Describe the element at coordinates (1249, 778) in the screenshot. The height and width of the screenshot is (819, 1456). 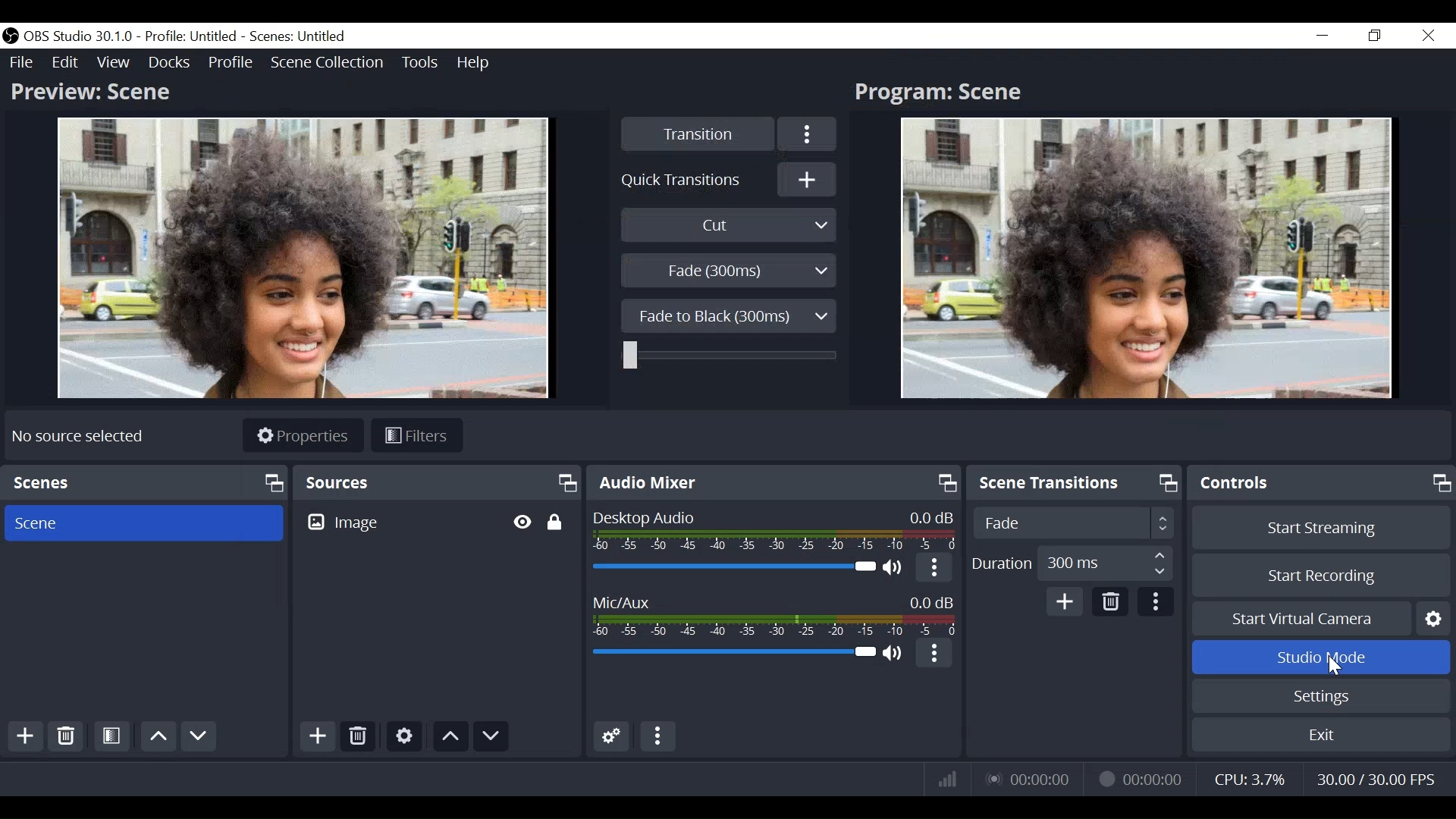
I see `CPU Usage` at that location.